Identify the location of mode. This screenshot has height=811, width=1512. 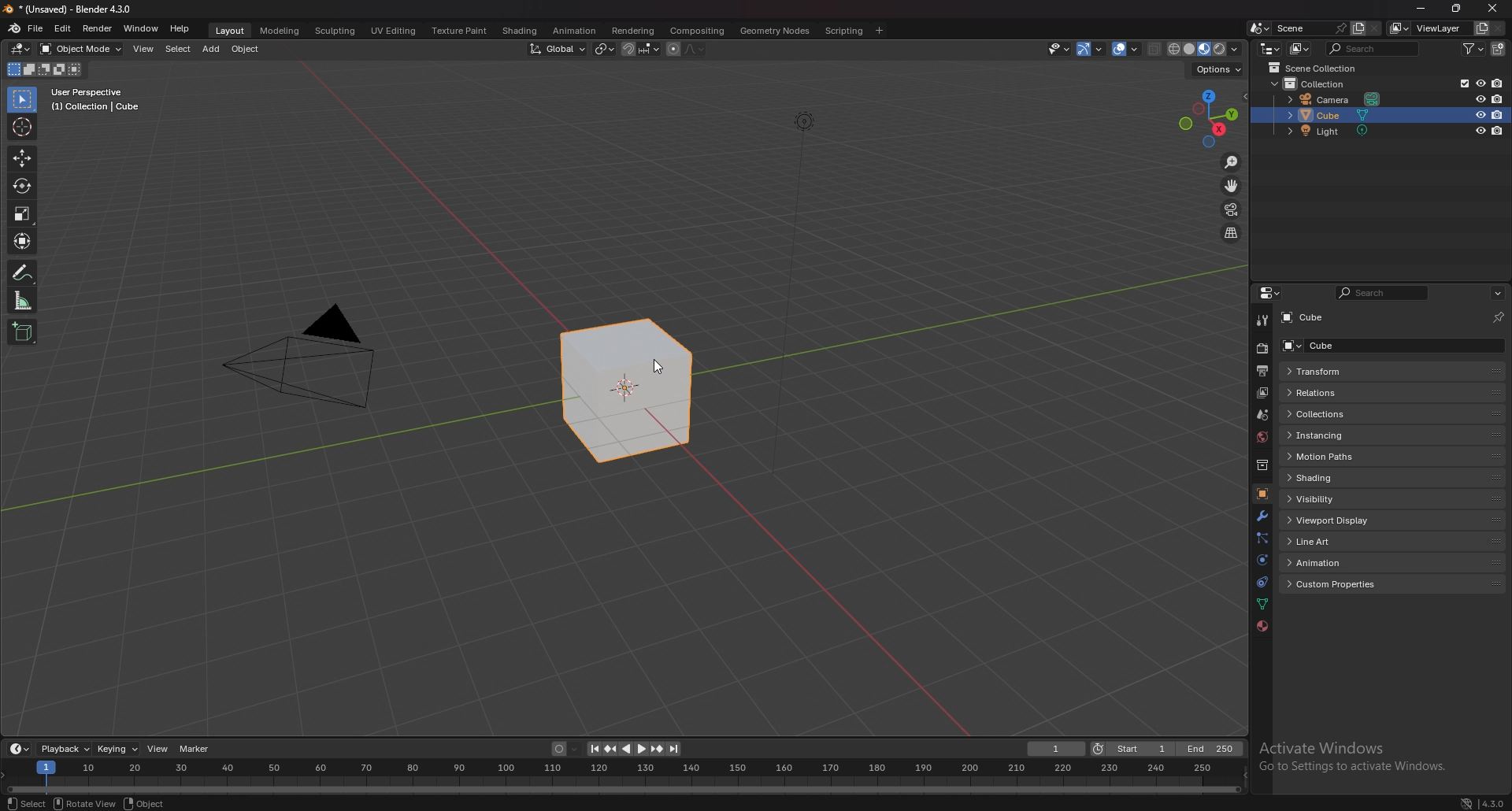
(45, 69).